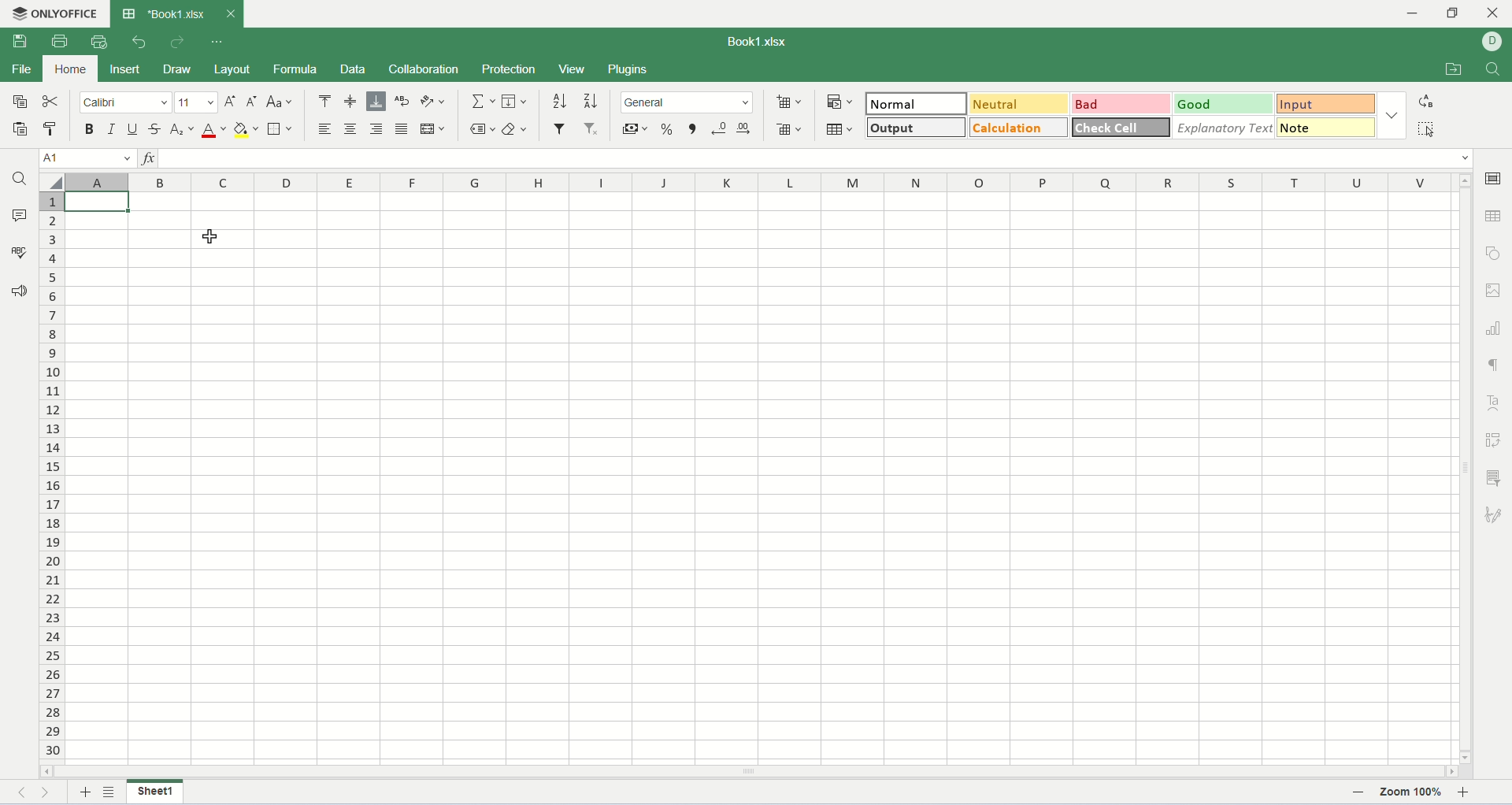 The image size is (1512, 805). Describe the element at coordinates (124, 69) in the screenshot. I see `insert` at that location.